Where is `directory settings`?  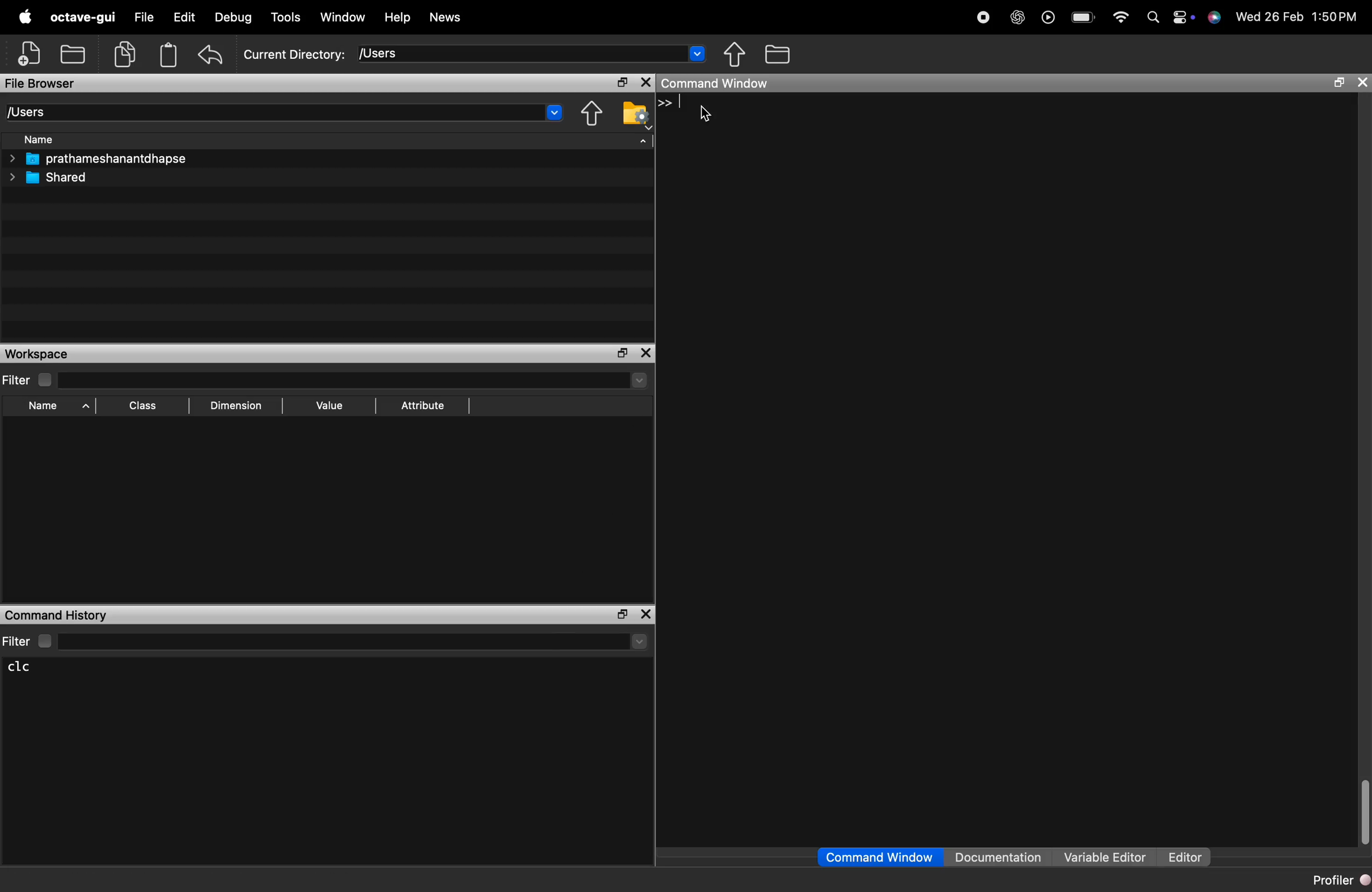 directory settings is located at coordinates (633, 112).